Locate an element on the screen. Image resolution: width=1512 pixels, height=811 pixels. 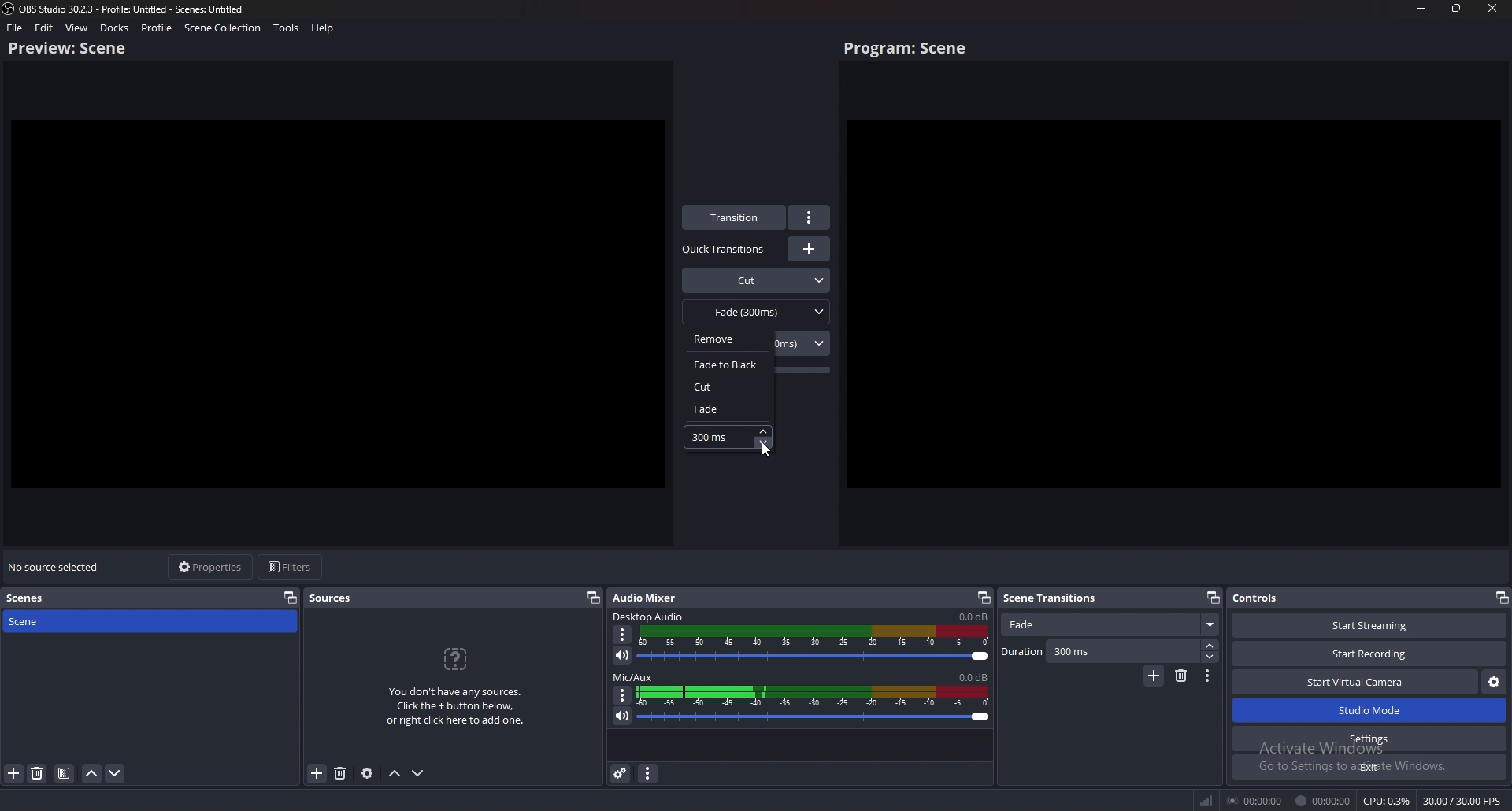
cut is located at coordinates (728, 387).